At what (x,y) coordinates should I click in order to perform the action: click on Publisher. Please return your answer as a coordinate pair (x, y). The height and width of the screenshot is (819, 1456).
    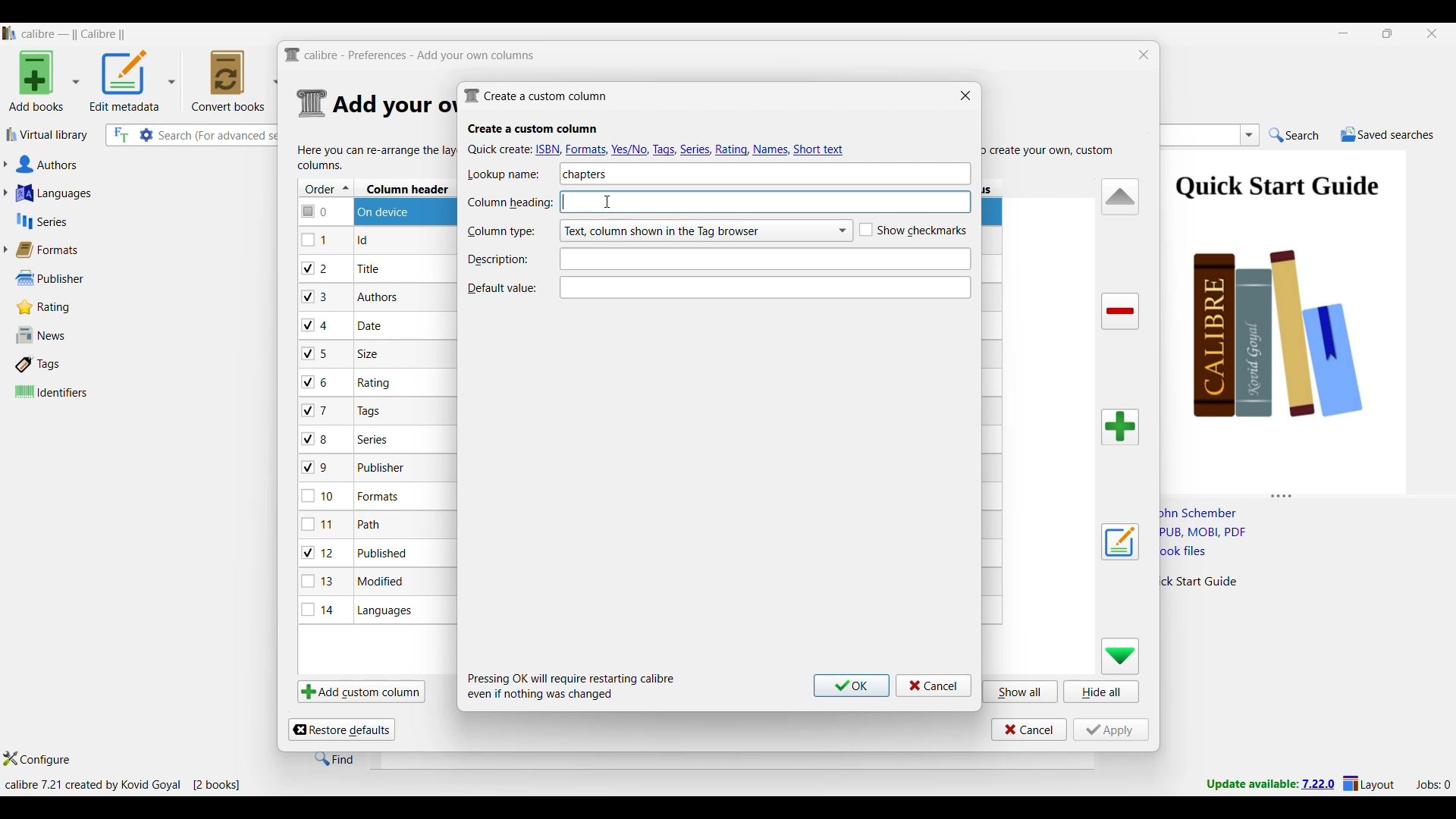
    Looking at the image, I should click on (67, 278).